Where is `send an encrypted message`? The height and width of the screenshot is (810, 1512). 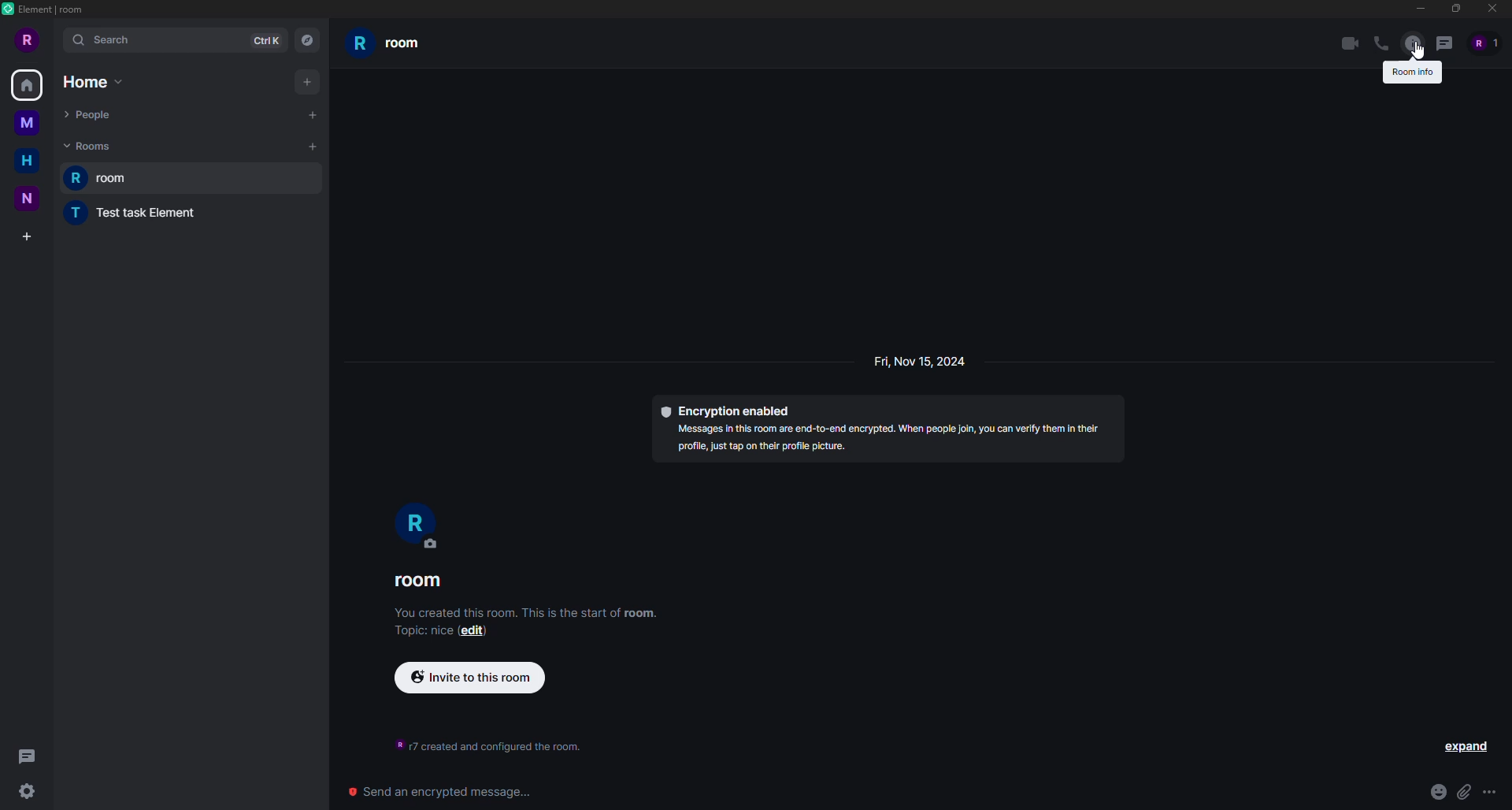
send an encrypted message is located at coordinates (436, 792).